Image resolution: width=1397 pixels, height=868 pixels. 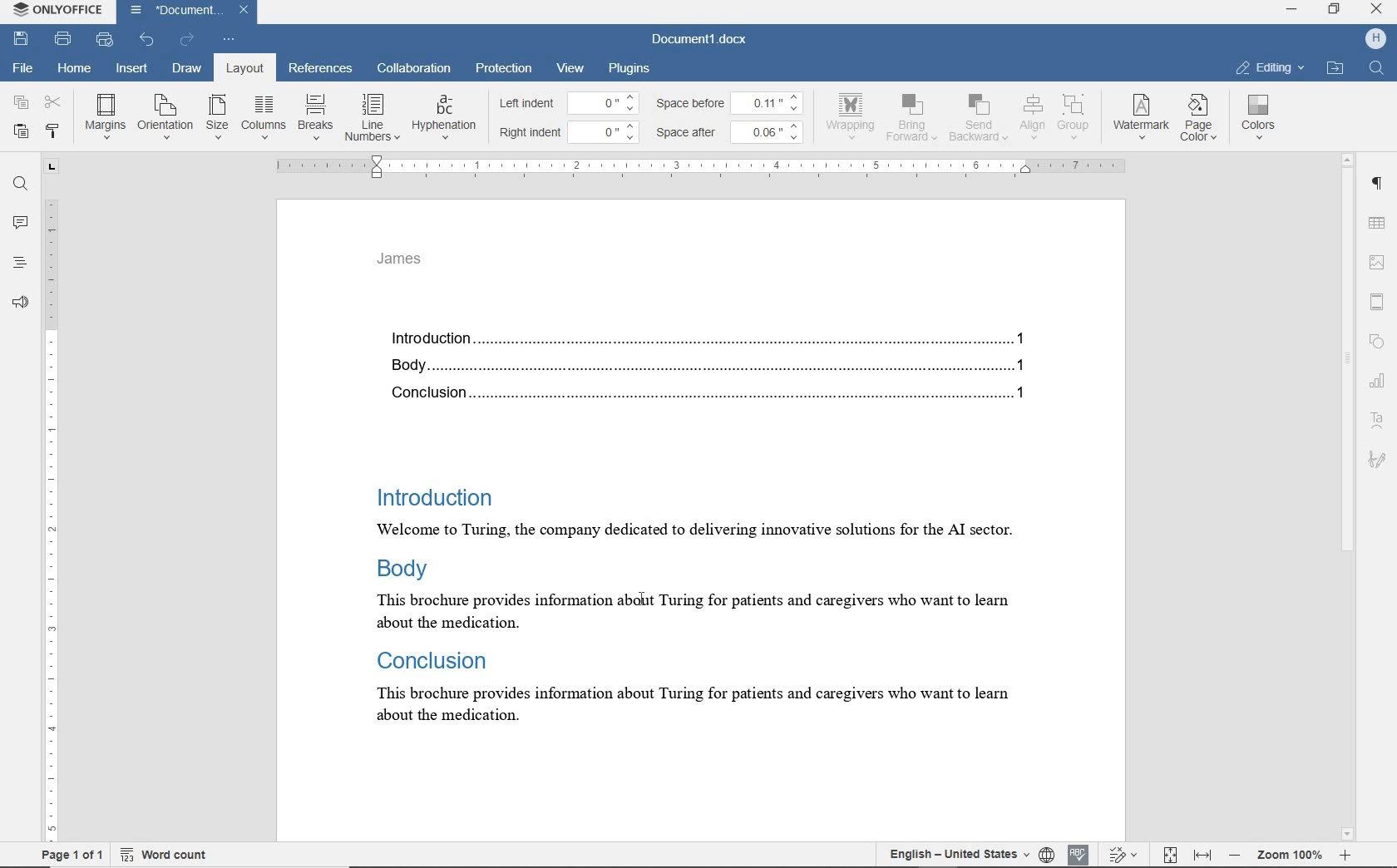 I want to click on draw, so click(x=187, y=67).